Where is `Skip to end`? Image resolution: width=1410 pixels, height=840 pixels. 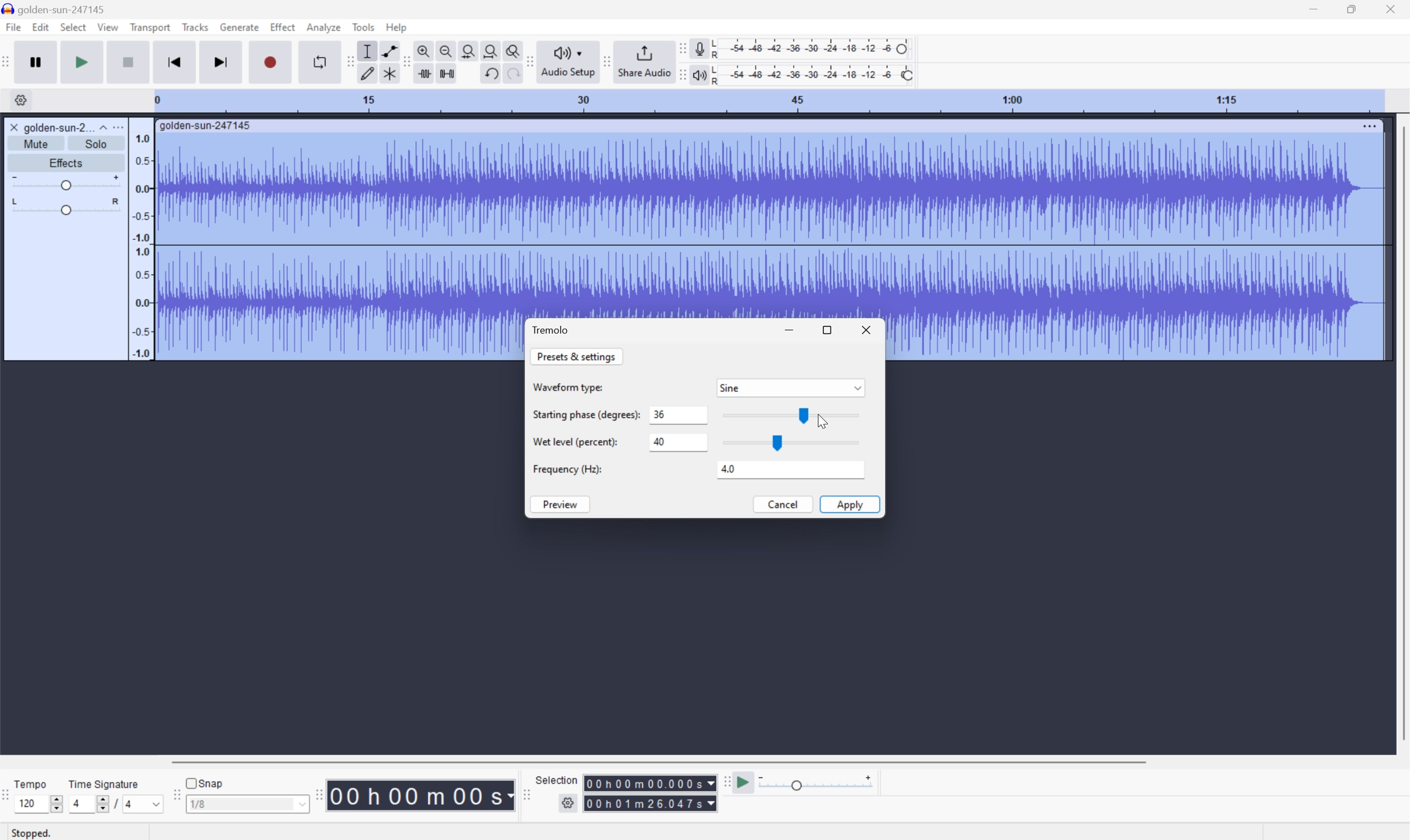 Skip to end is located at coordinates (220, 63).